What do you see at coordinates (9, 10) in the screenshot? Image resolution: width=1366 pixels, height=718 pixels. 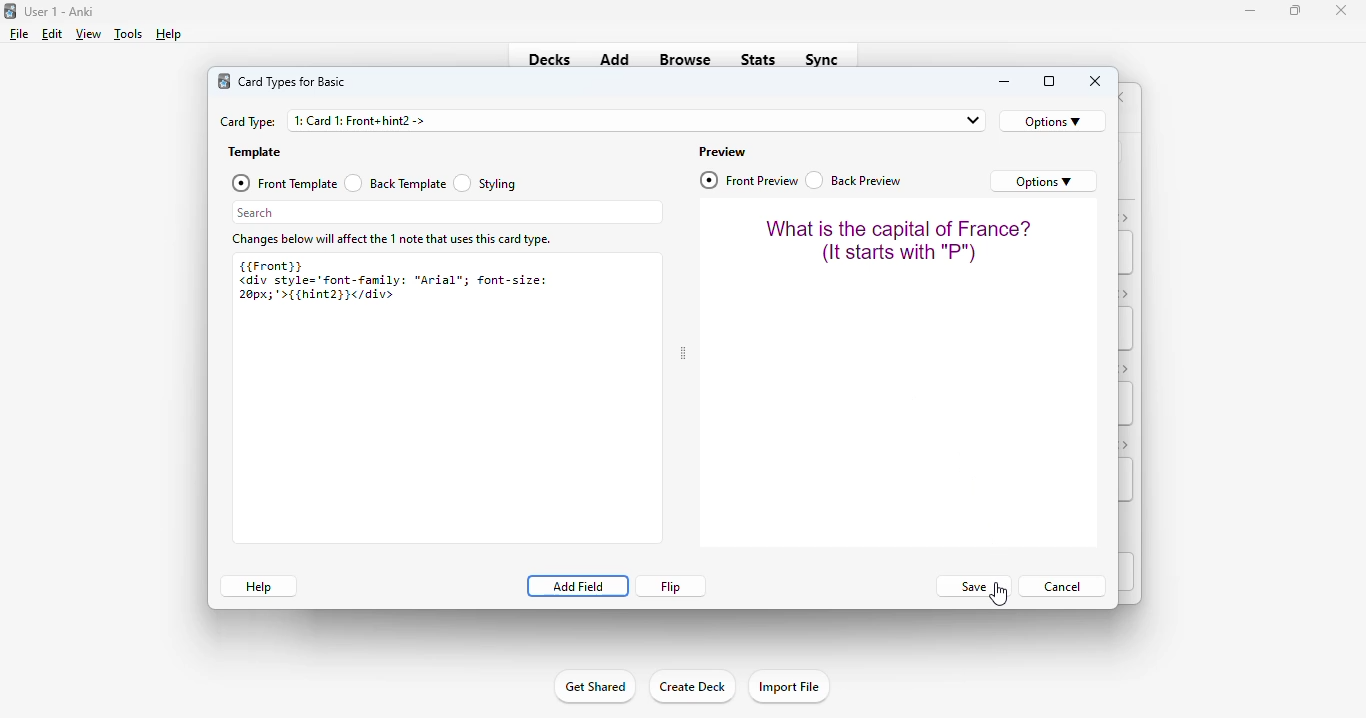 I see `logo` at bounding box center [9, 10].